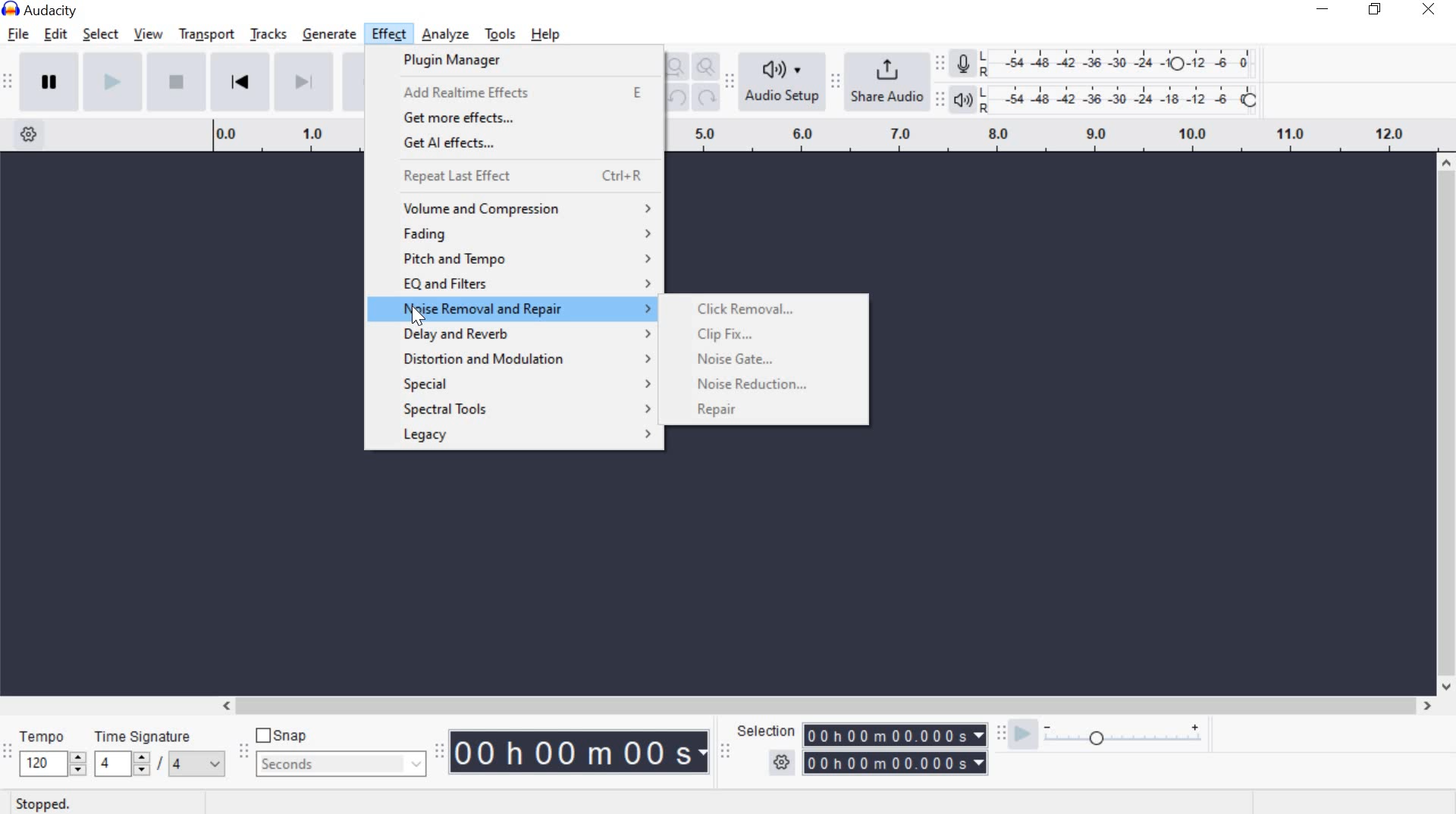  Describe the element at coordinates (940, 64) in the screenshot. I see `Recording Meter Toolbar` at that location.